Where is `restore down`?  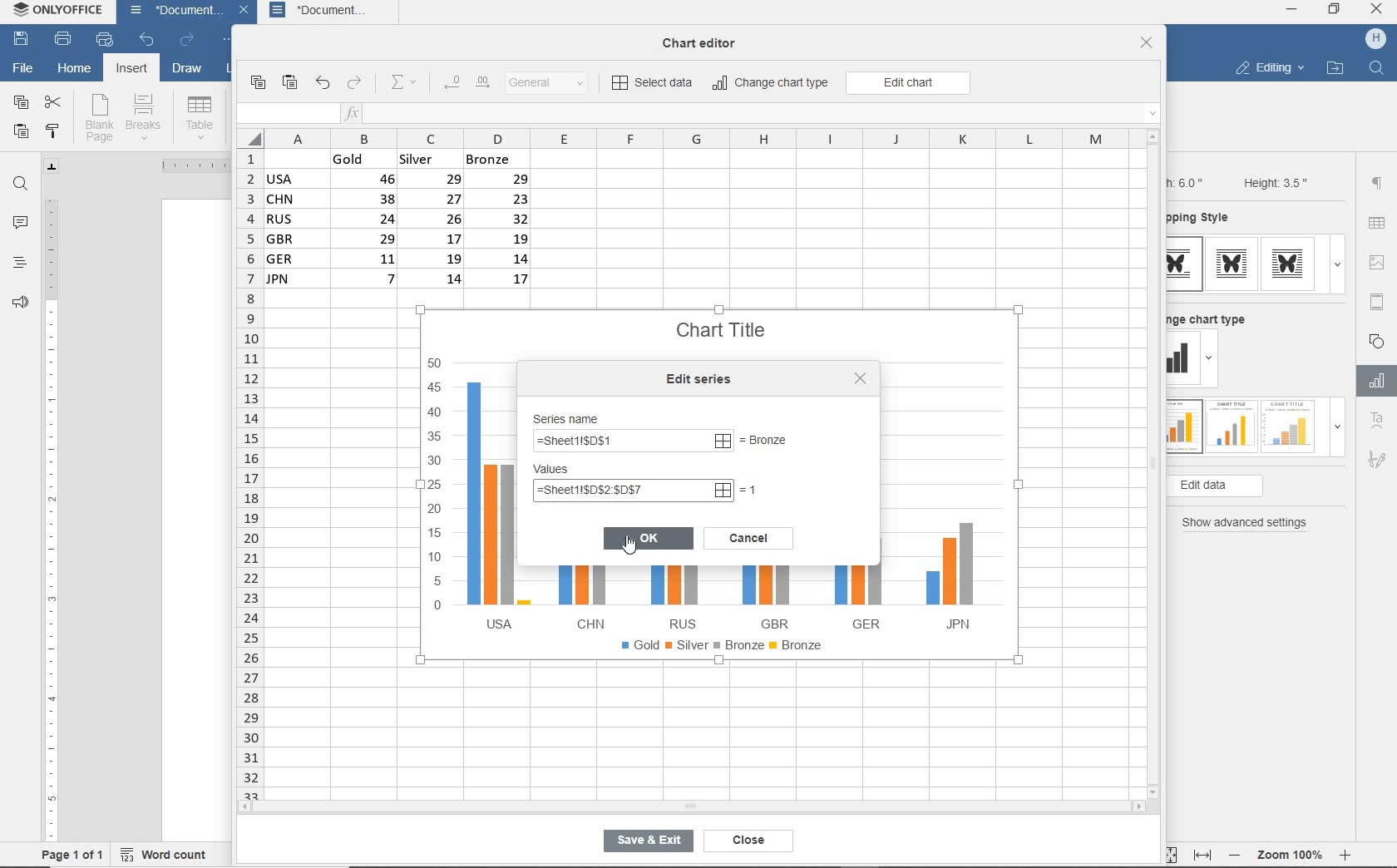
restore down is located at coordinates (1335, 11).